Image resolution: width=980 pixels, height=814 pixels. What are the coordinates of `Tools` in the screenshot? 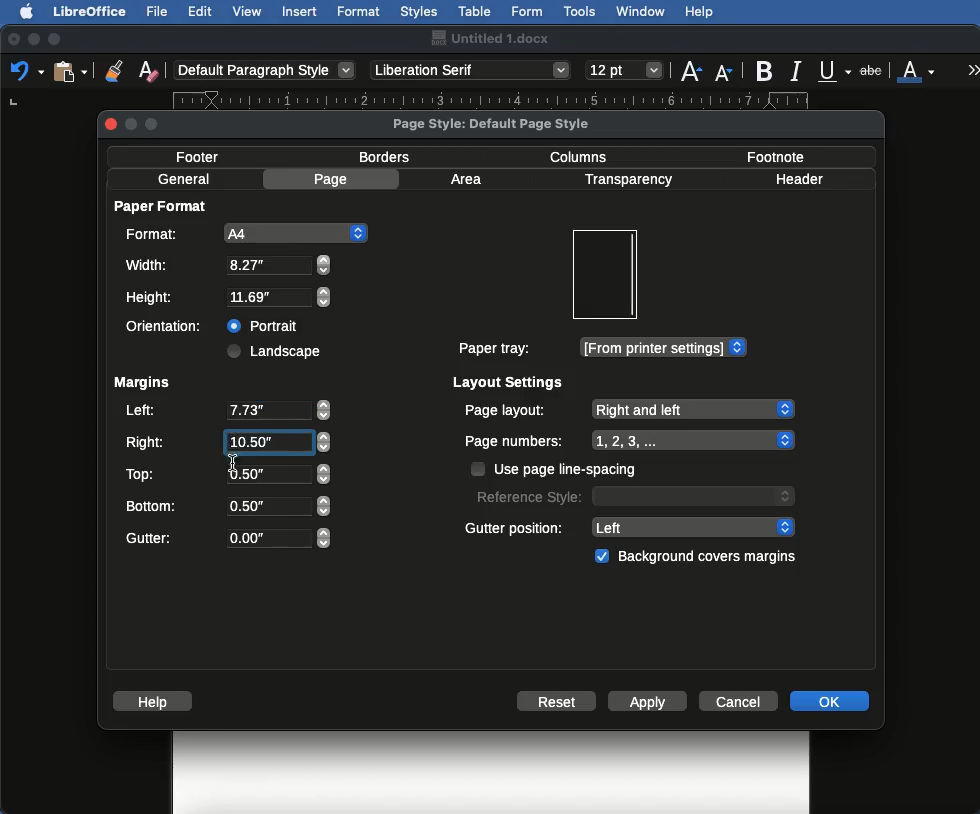 It's located at (581, 12).